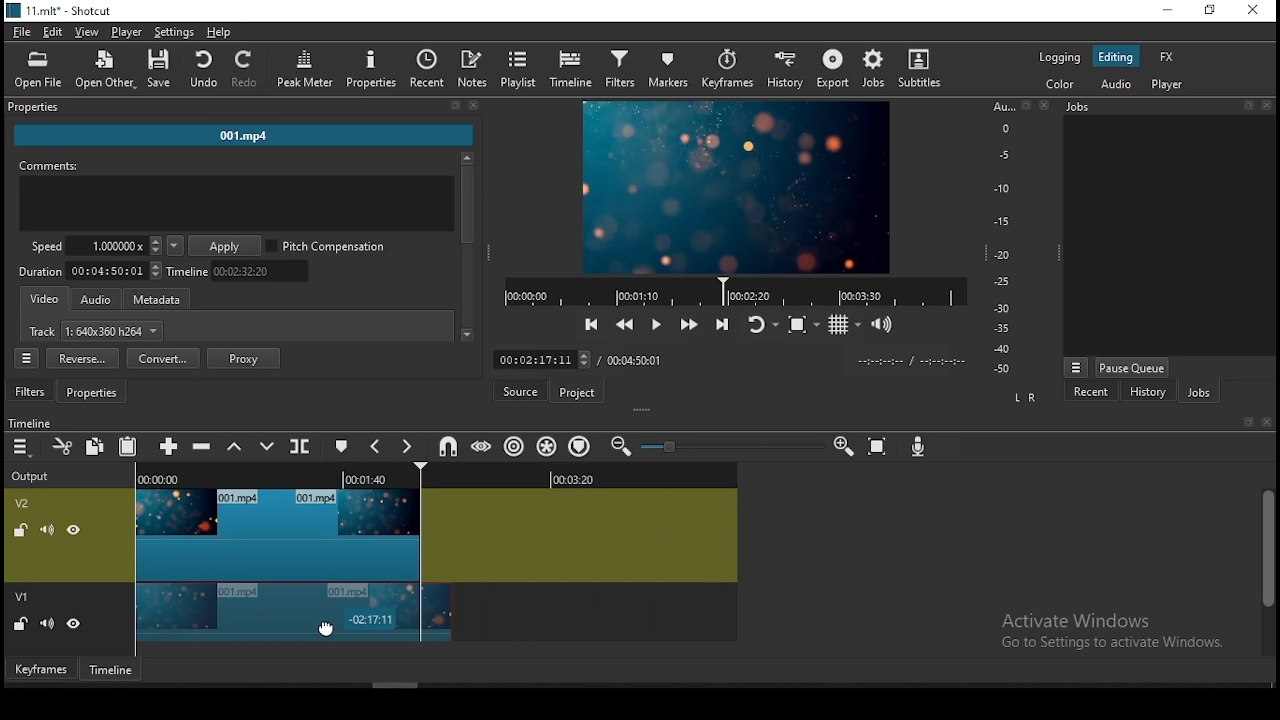 This screenshot has width=1280, height=720. What do you see at coordinates (475, 69) in the screenshot?
I see `notes` at bounding box center [475, 69].